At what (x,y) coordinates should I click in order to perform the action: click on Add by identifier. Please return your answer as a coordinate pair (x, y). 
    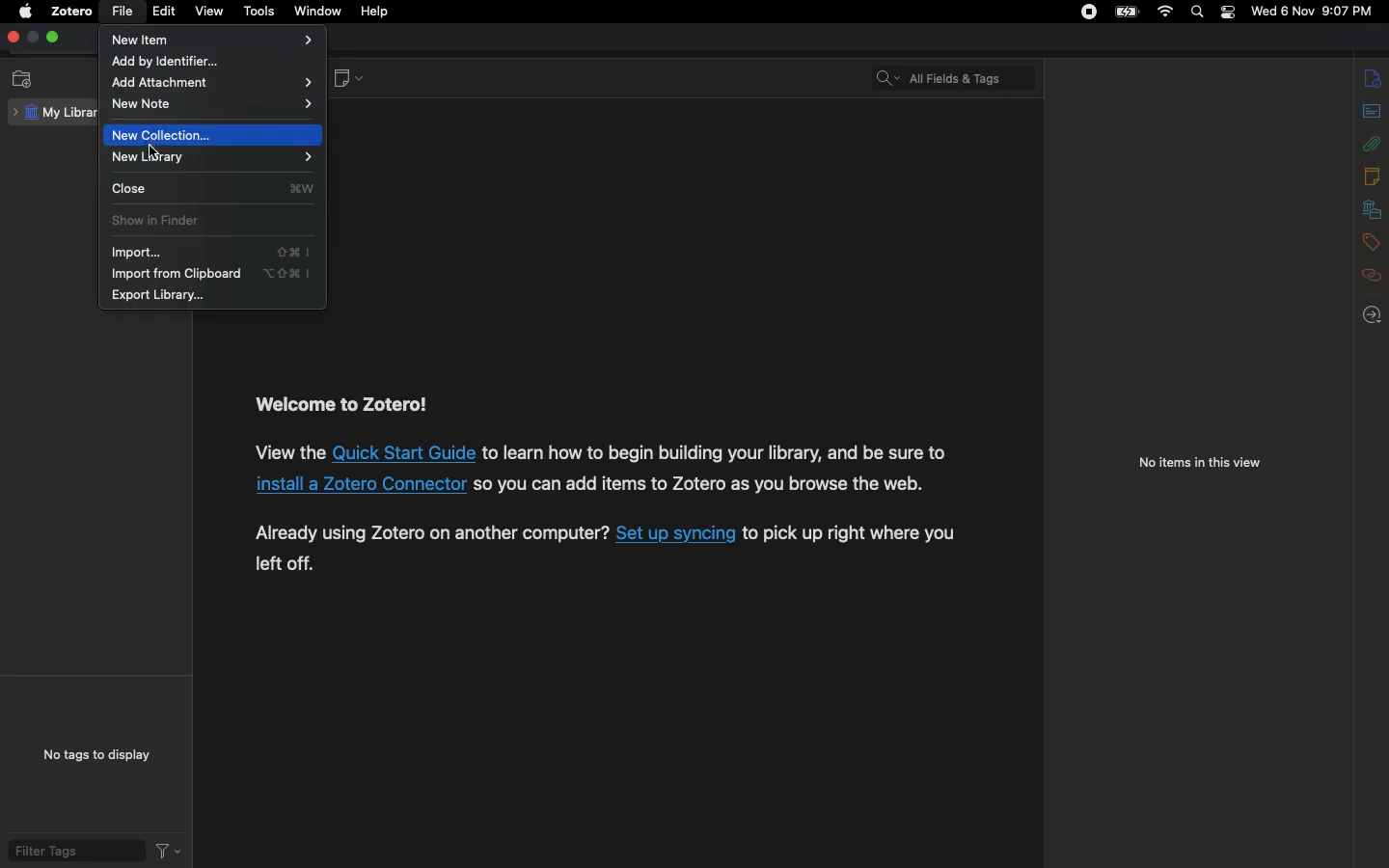
    Looking at the image, I should click on (193, 63).